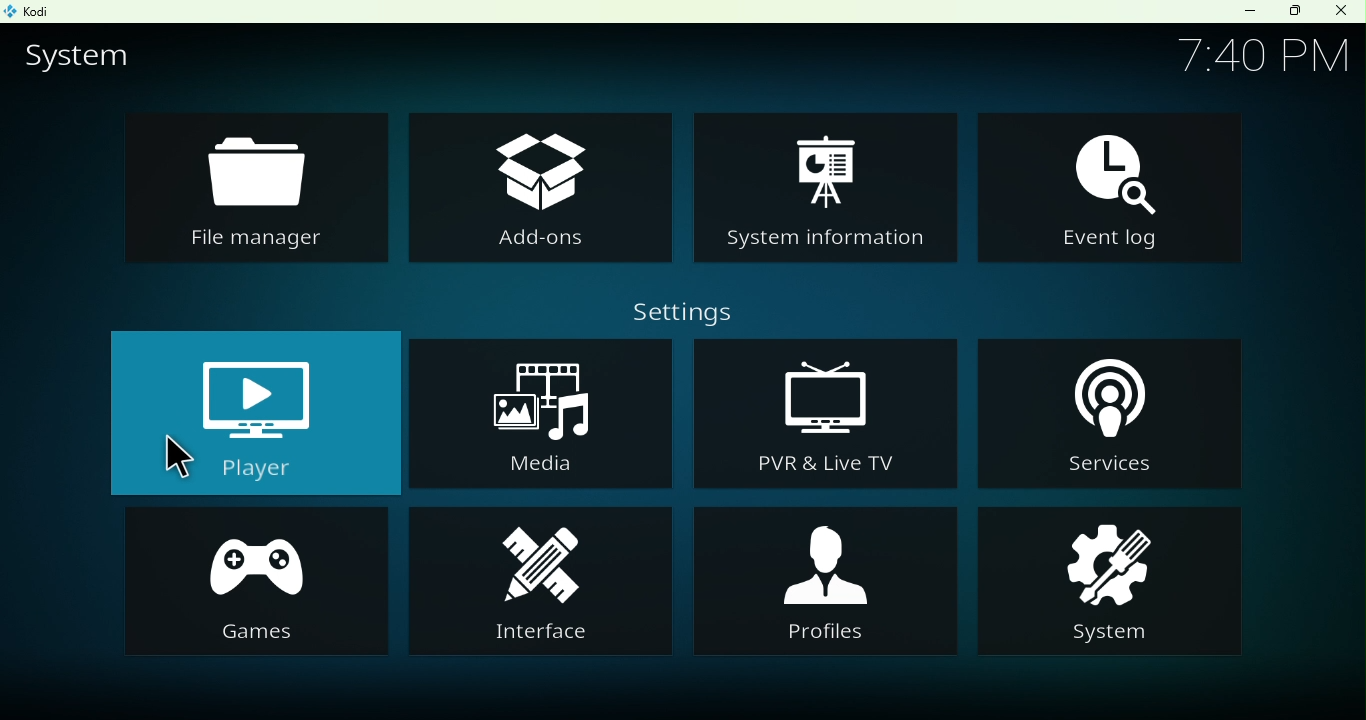 This screenshot has width=1366, height=720. I want to click on Player, so click(255, 410).